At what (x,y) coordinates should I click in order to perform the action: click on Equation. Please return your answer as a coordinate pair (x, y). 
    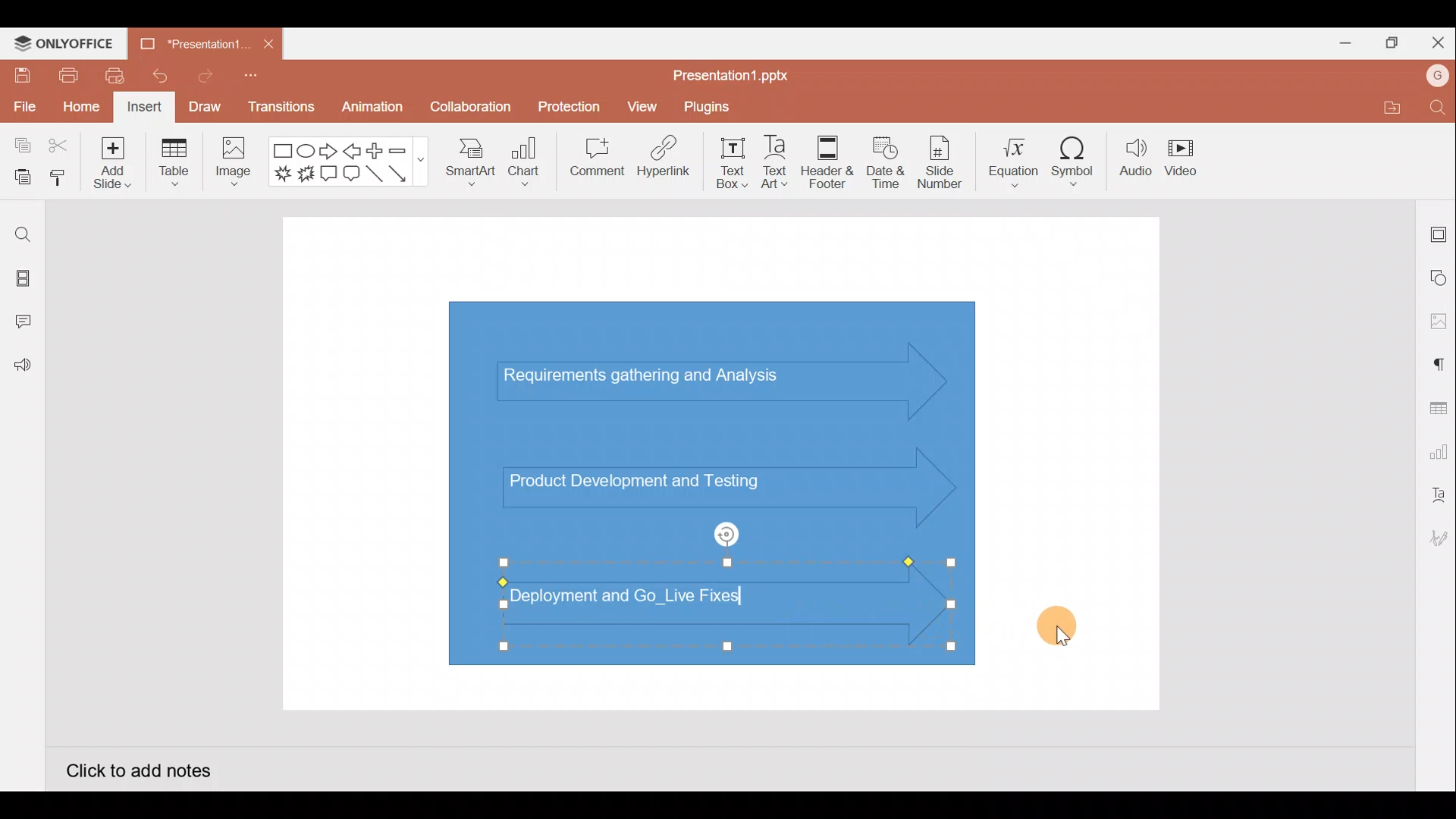
    Looking at the image, I should click on (1015, 157).